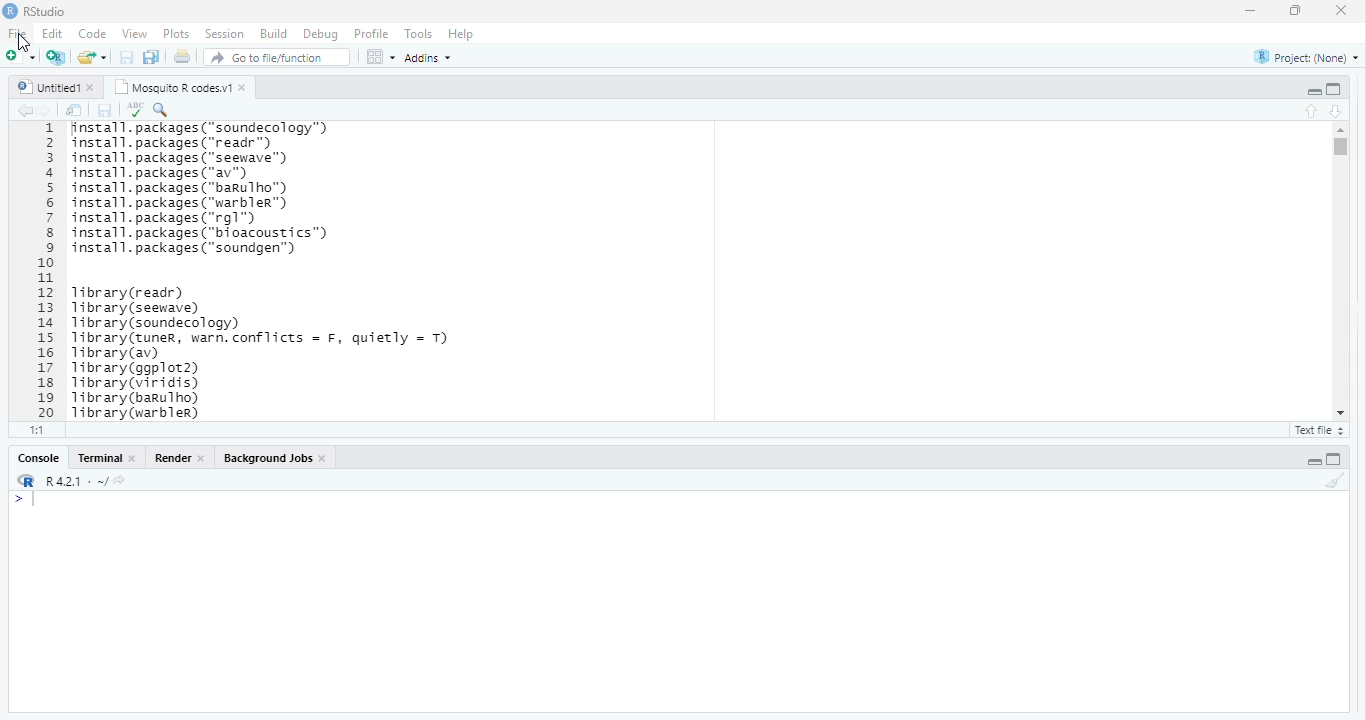 The image size is (1366, 720). What do you see at coordinates (1337, 112) in the screenshot?
I see `down` at bounding box center [1337, 112].